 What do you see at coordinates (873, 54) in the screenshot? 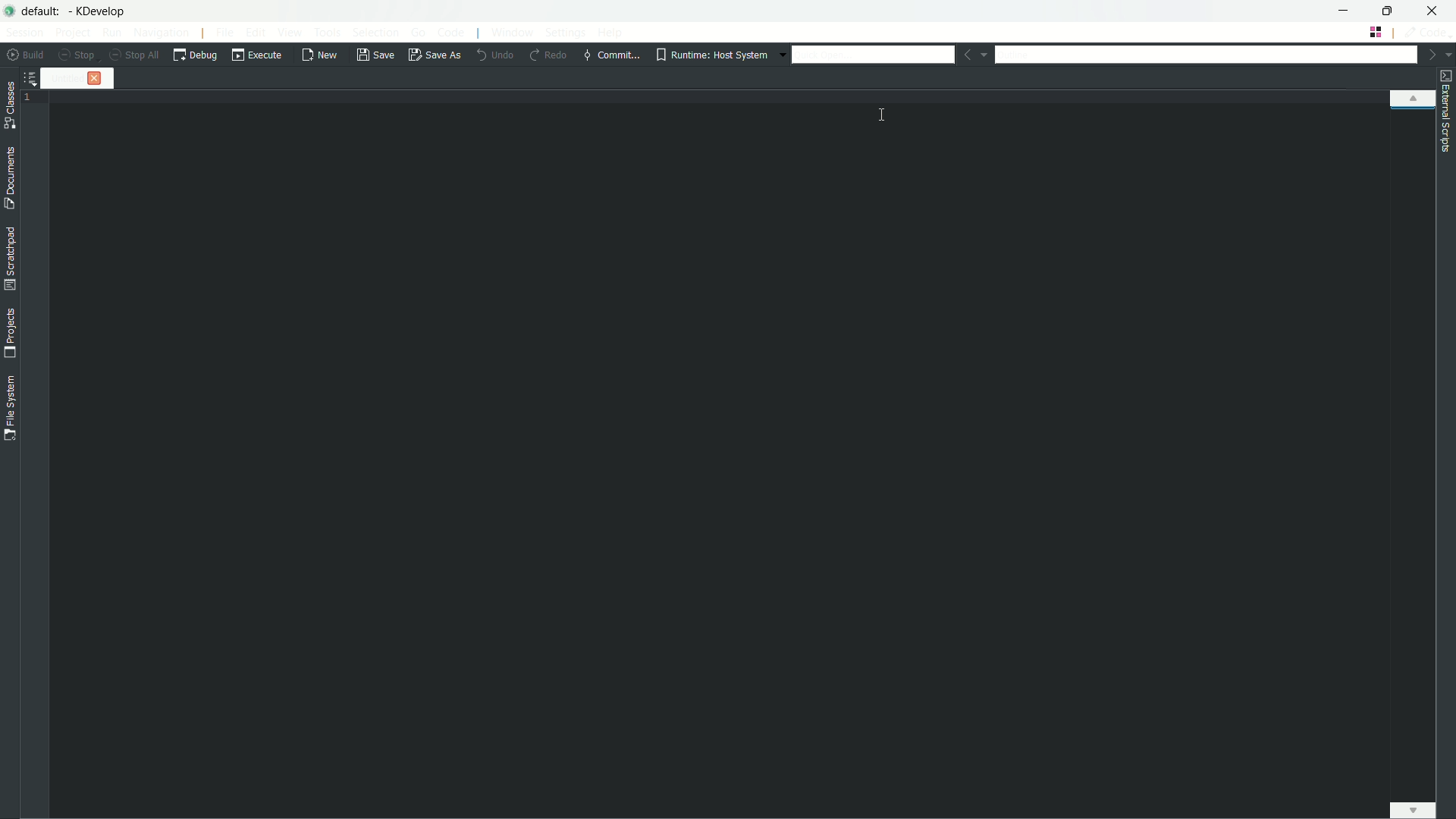
I see `quick open` at bounding box center [873, 54].